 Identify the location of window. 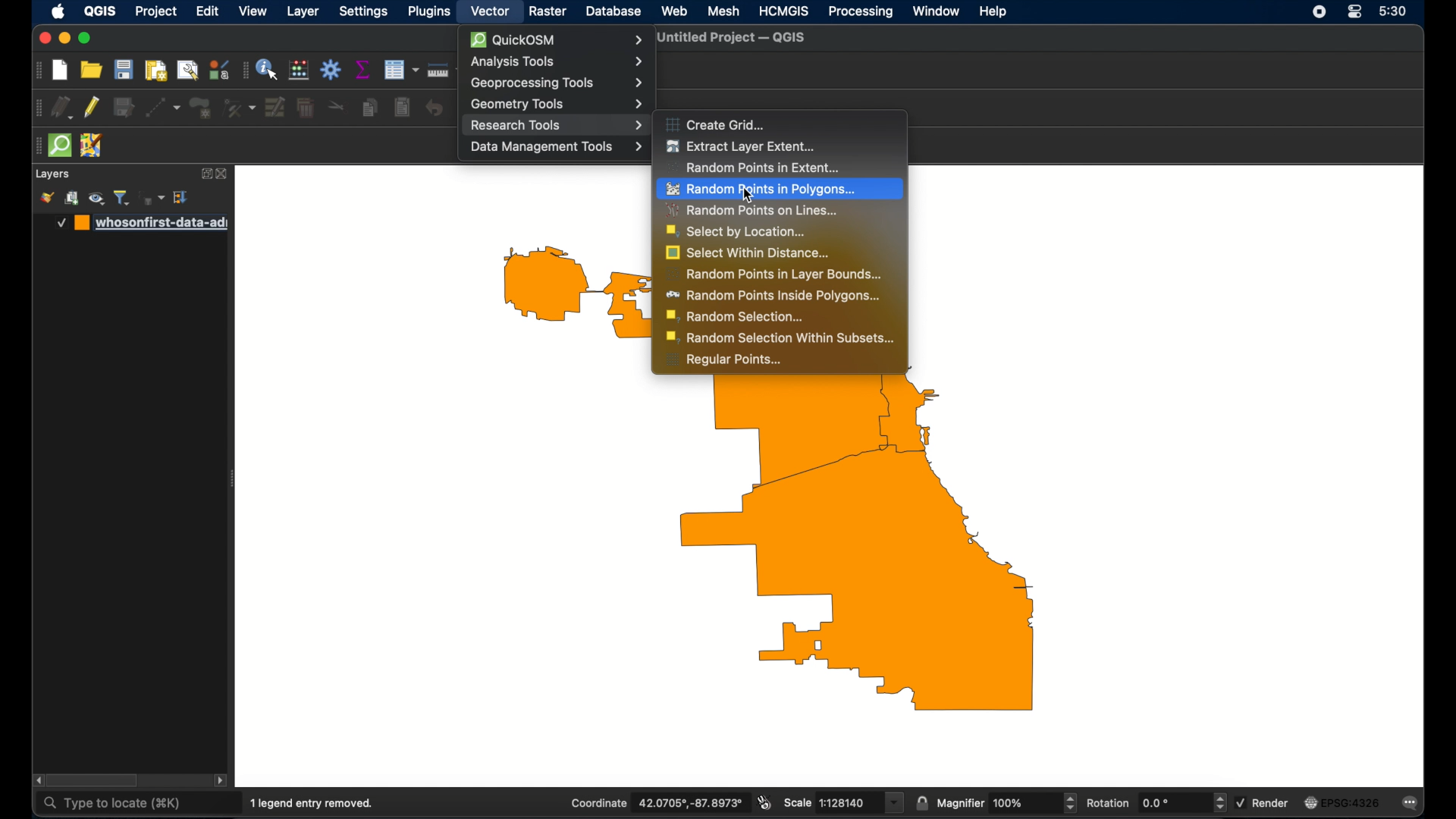
(937, 12).